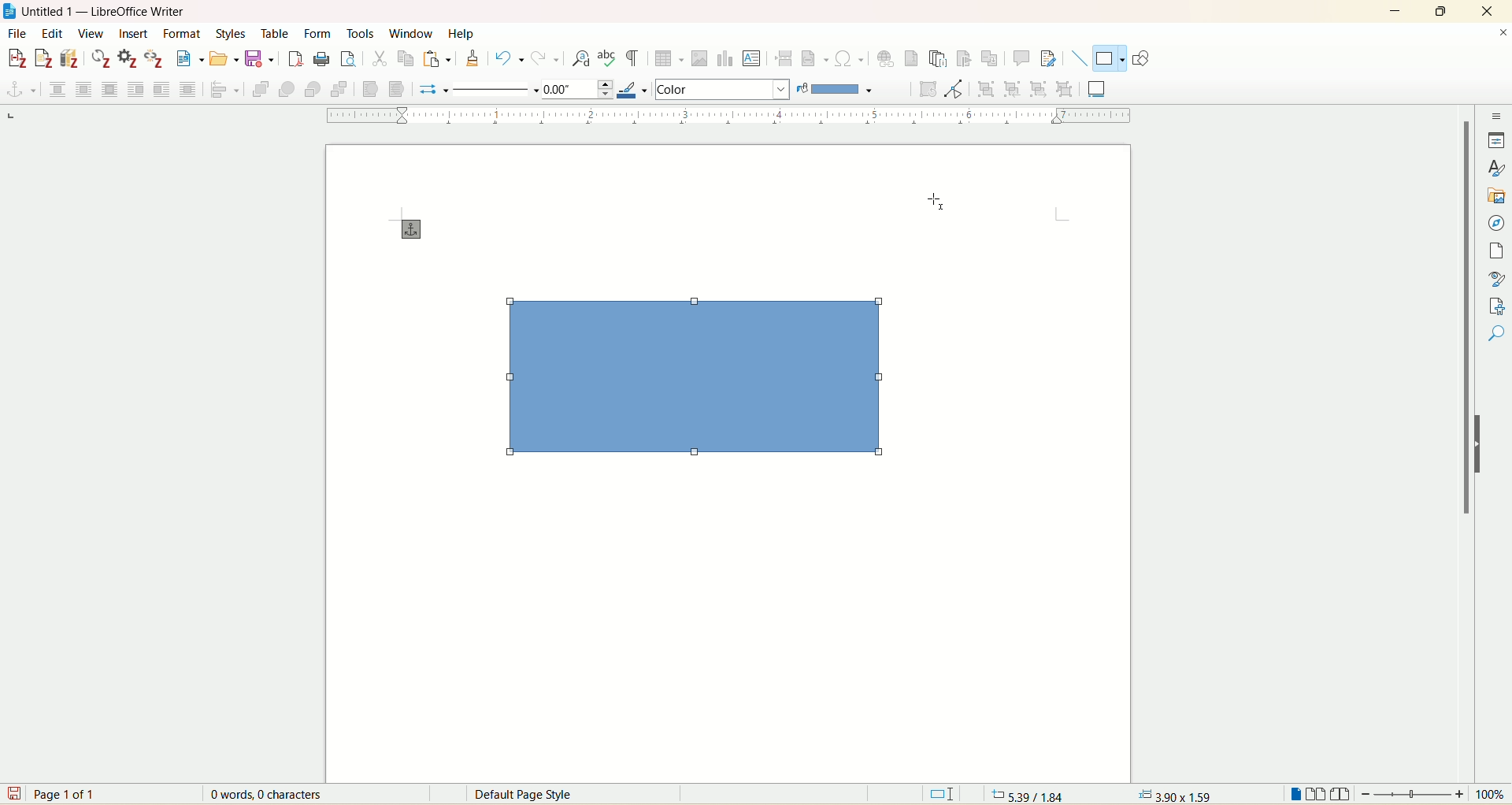  Describe the element at coordinates (321, 35) in the screenshot. I see `form` at that location.